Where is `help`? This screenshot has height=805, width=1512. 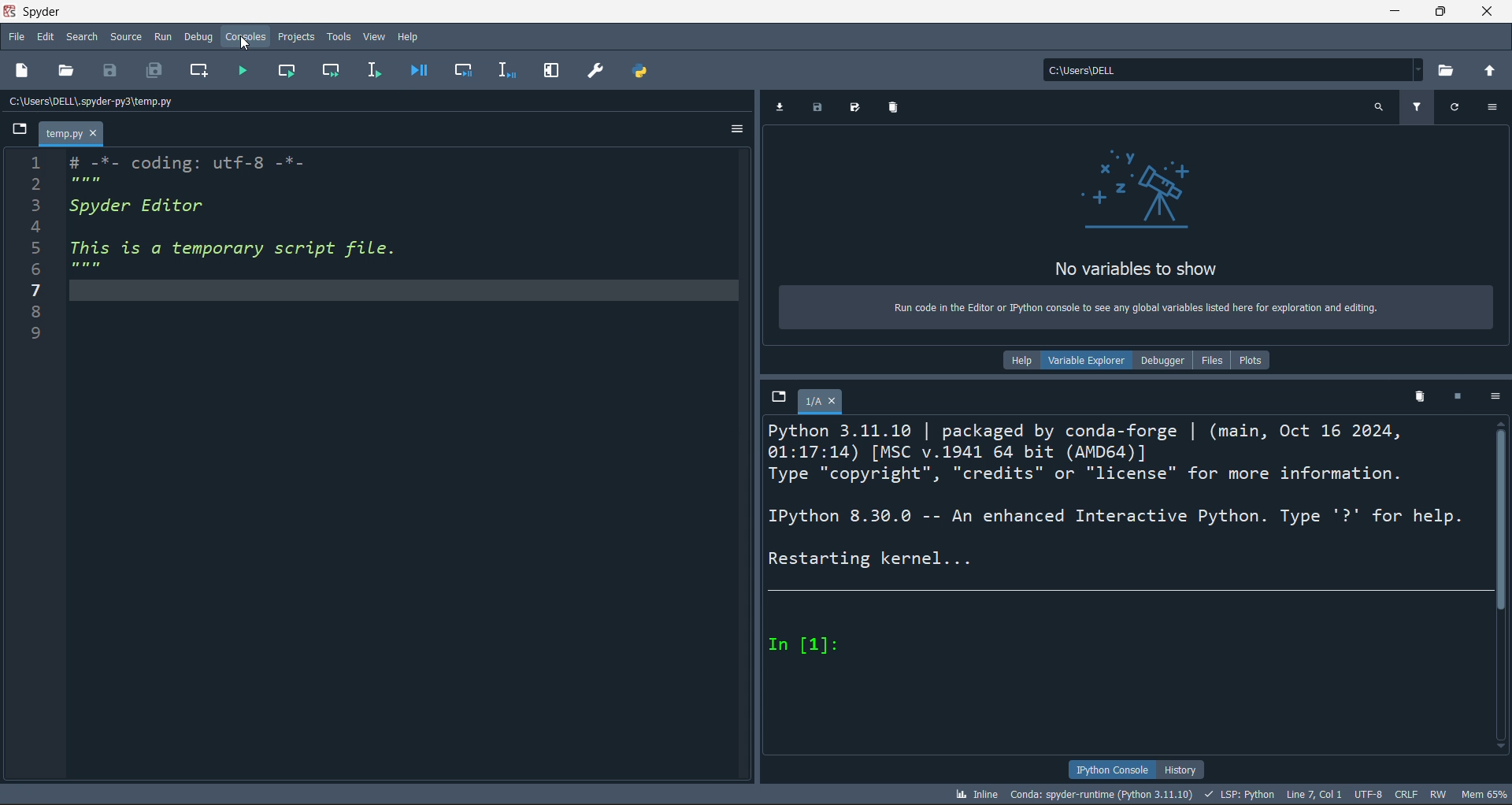 help is located at coordinates (1021, 363).